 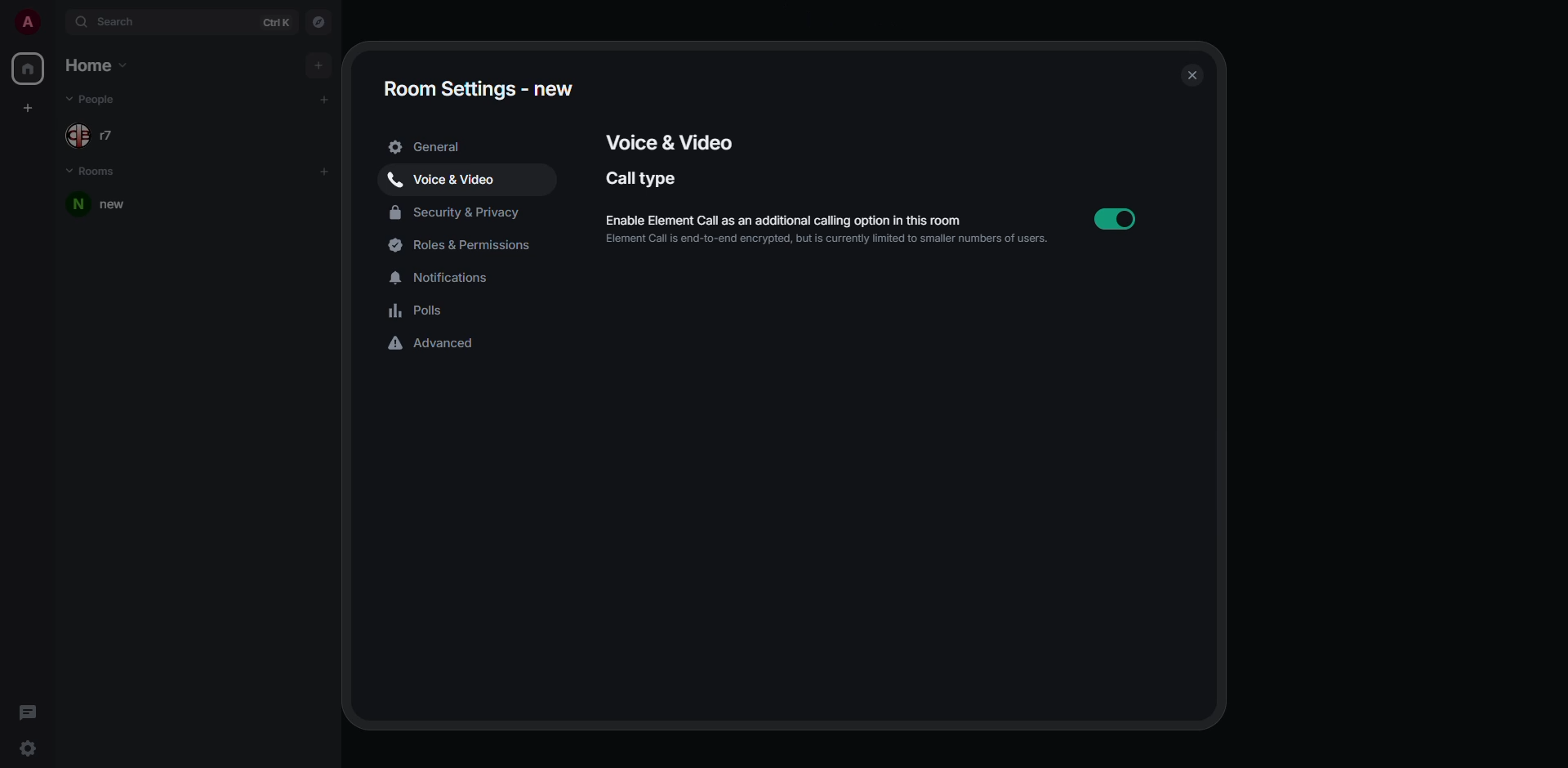 I want to click on people, so click(x=95, y=132).